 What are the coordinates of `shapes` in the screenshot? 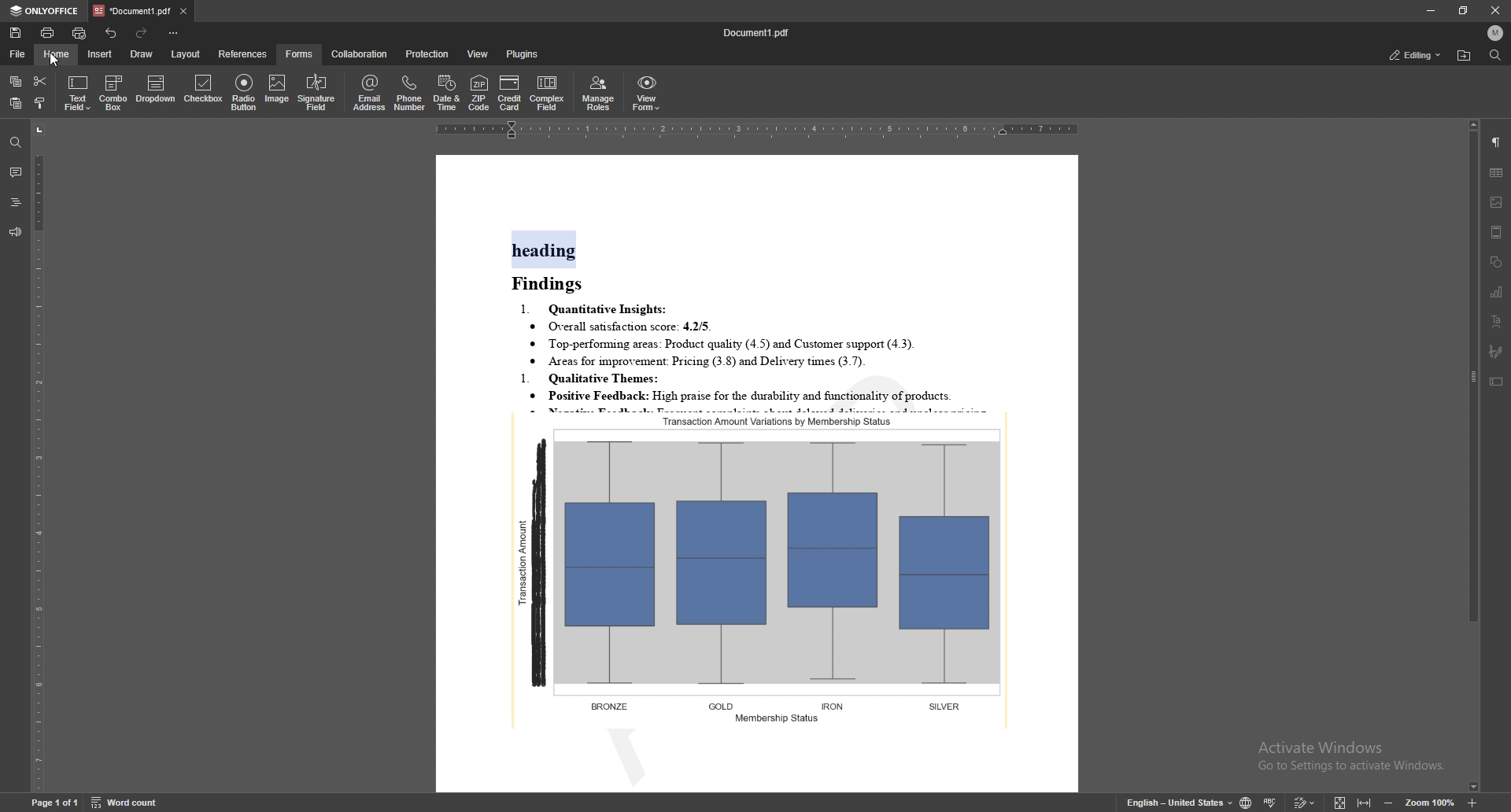 It's located at (1498, 263).